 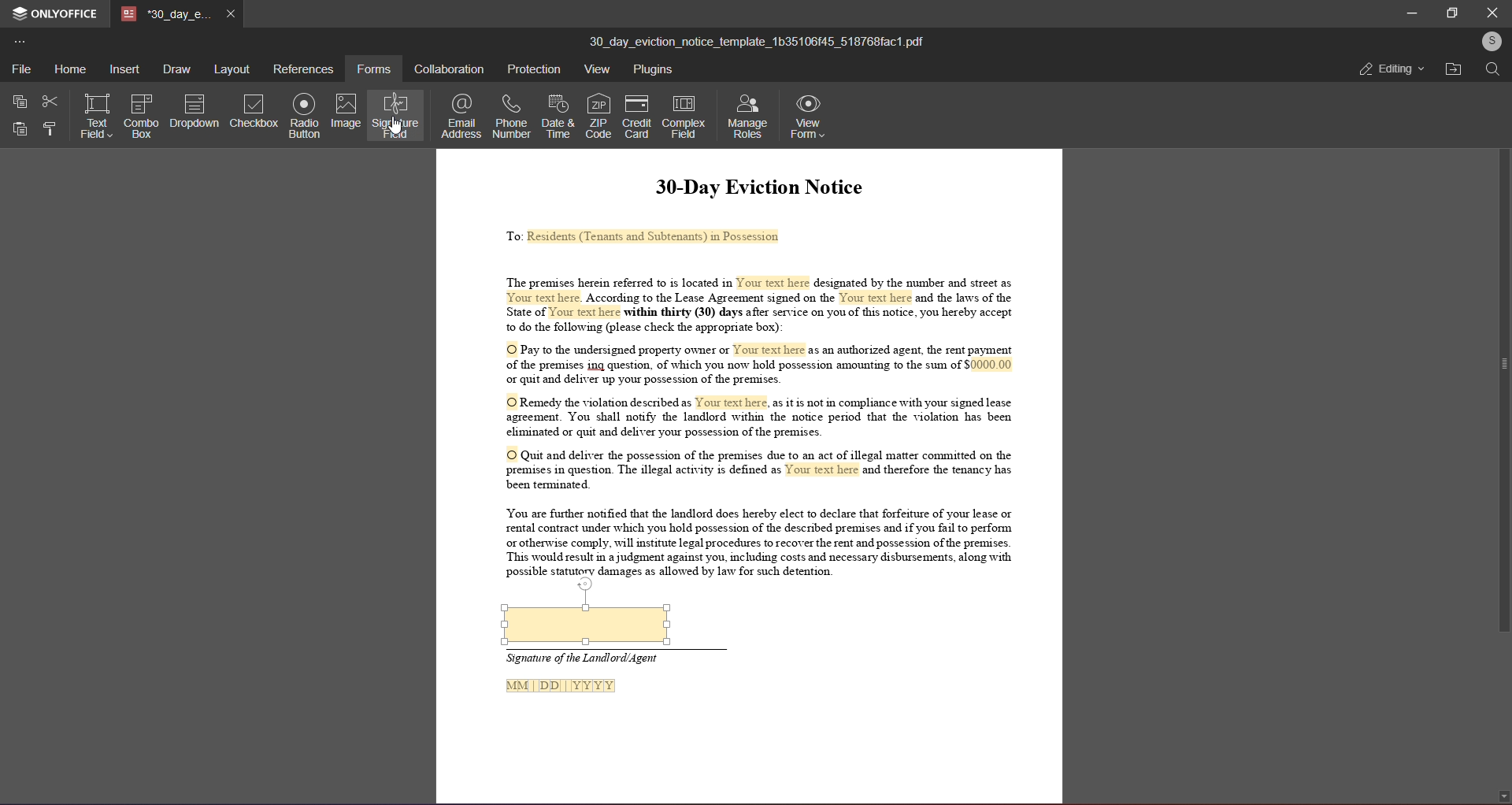 What do you see at coordinates (533, 69) in the screenshot?
I see `protection` at bounding box center [533, 69].